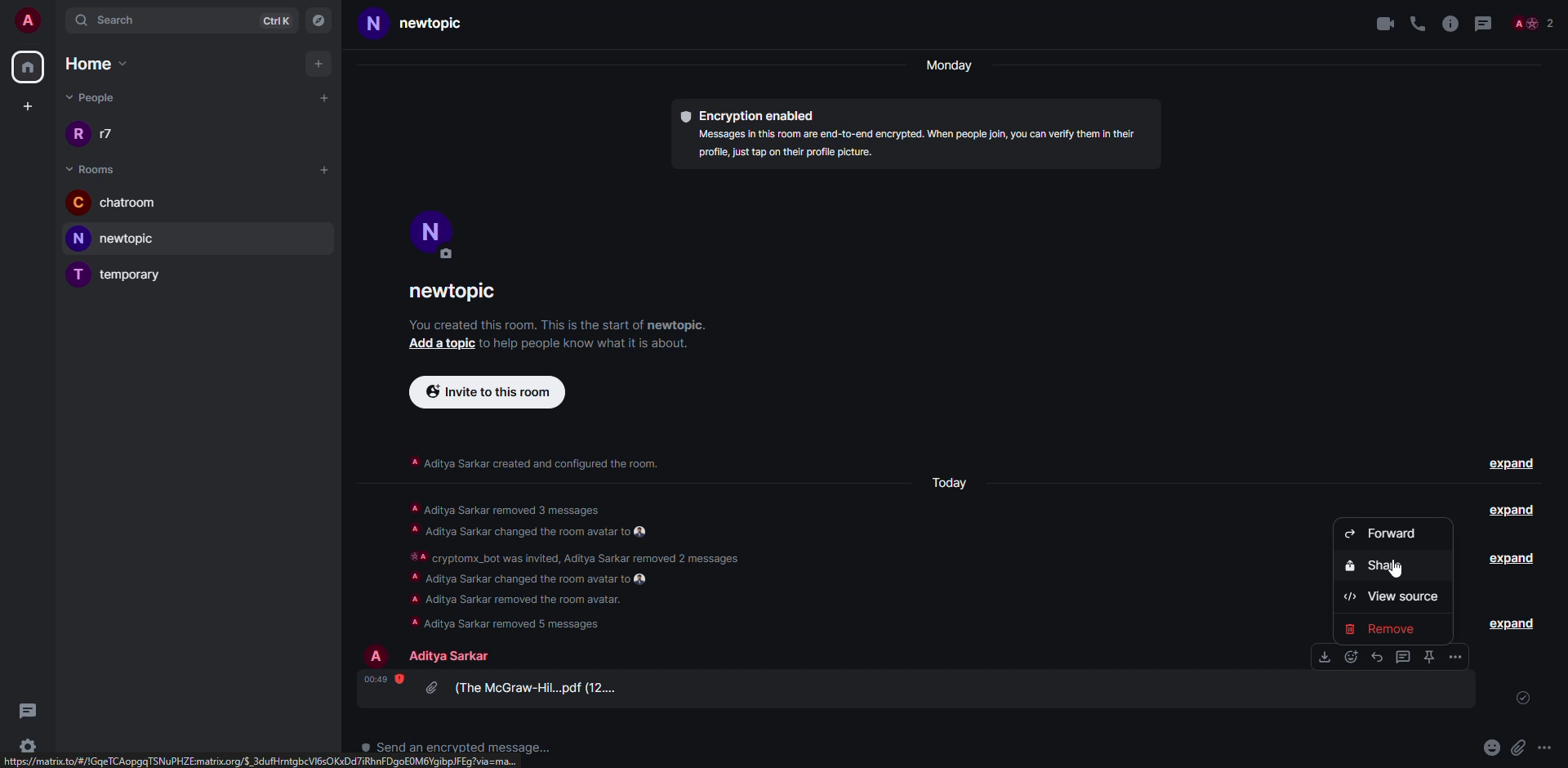 The image size is (1568, 768). Describe the element at coordinates (1492, 746) in the screenshot. I see `emoji` at that location.